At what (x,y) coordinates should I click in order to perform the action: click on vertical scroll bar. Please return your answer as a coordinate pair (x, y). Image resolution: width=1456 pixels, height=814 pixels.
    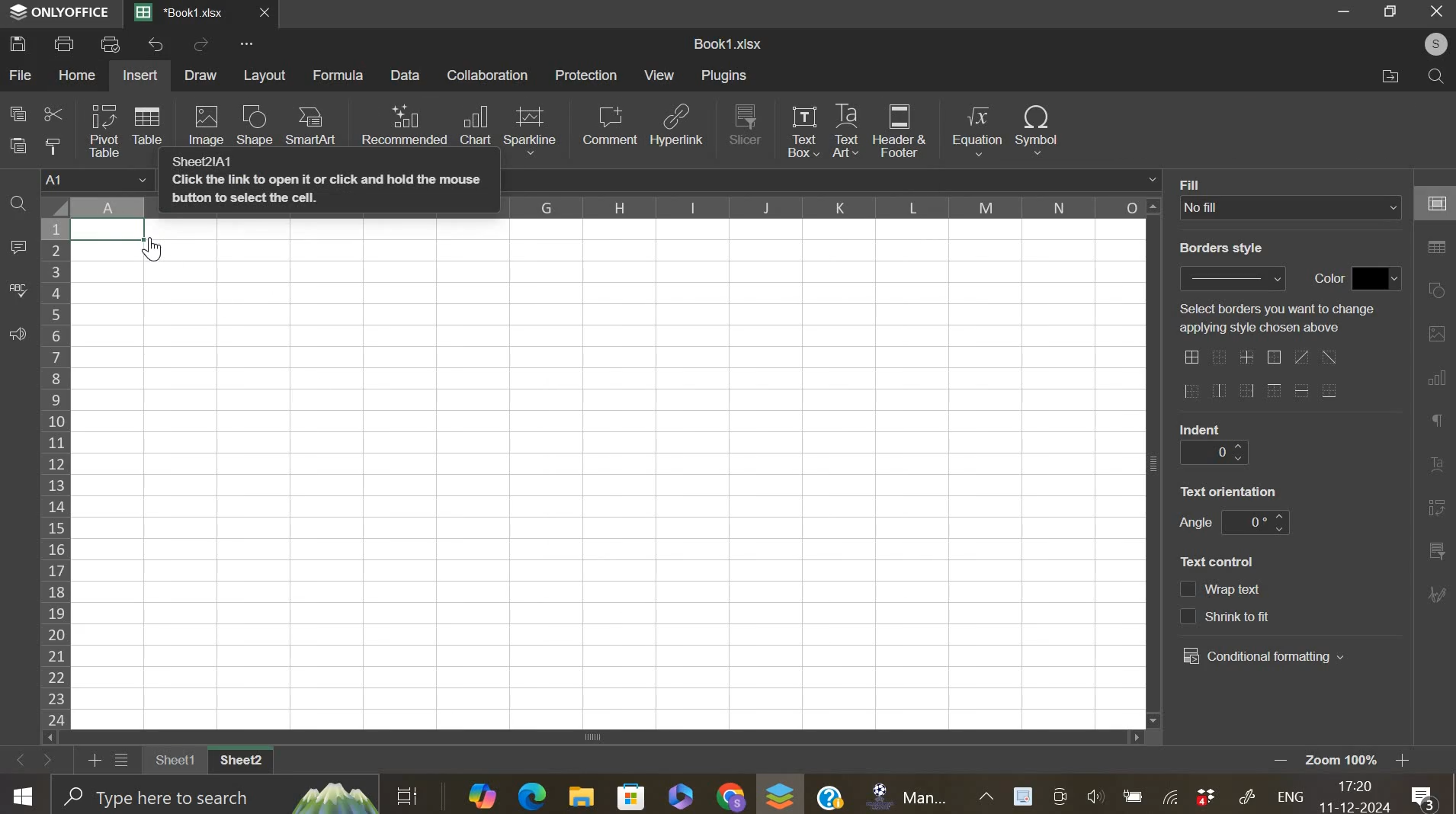
    Looking at the image, I should click on (1155, 460).